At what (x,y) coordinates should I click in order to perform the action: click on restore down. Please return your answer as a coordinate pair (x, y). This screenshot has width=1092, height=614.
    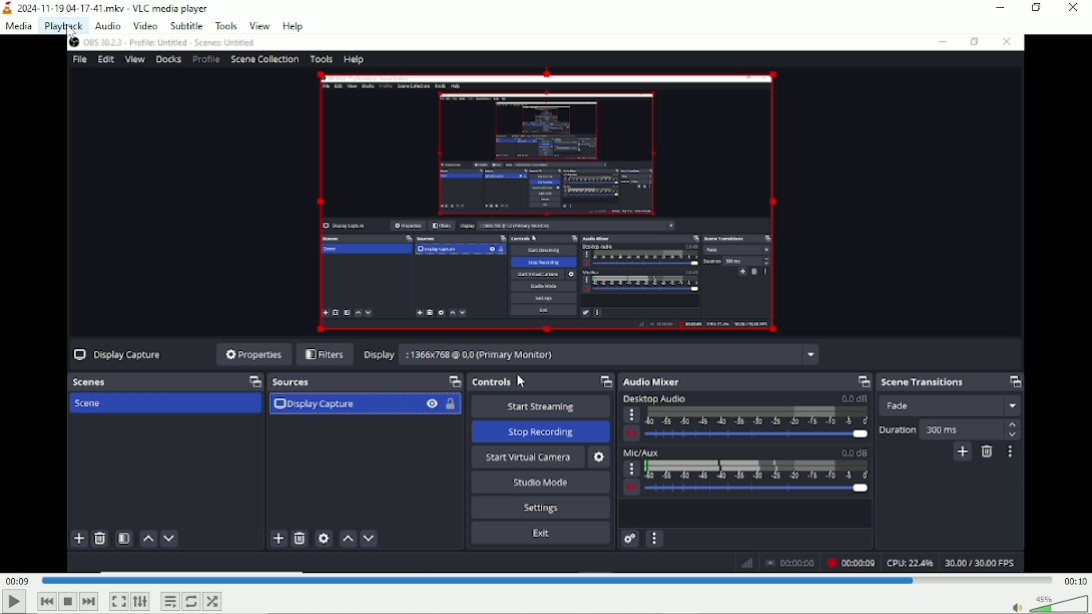
    Looking at the image, I should click on (1036, 8).